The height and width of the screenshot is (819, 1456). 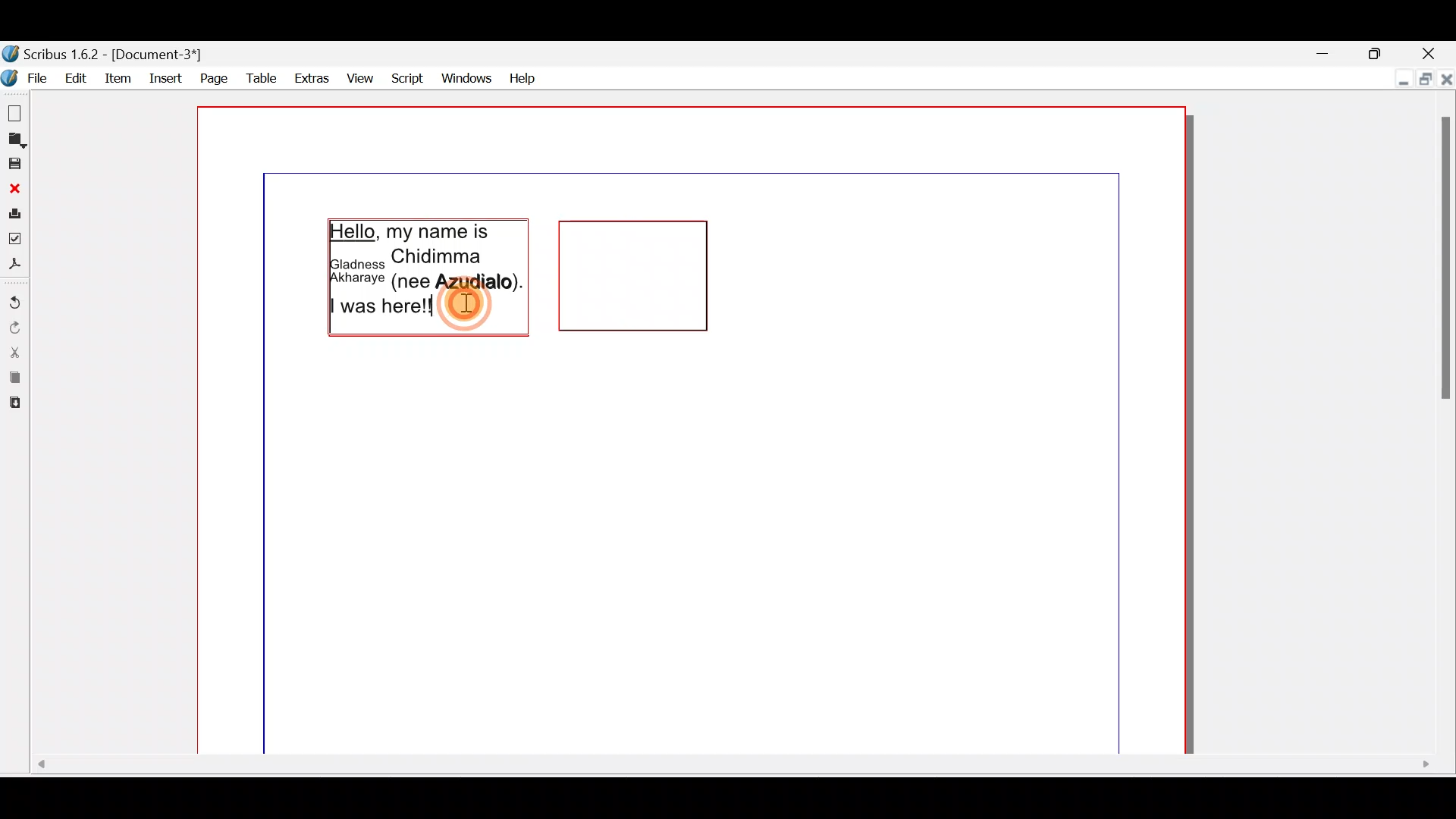 What do you see at coordinates (256, 78) in the screenshot?
I see `Table` at bounding box center [256, 78].